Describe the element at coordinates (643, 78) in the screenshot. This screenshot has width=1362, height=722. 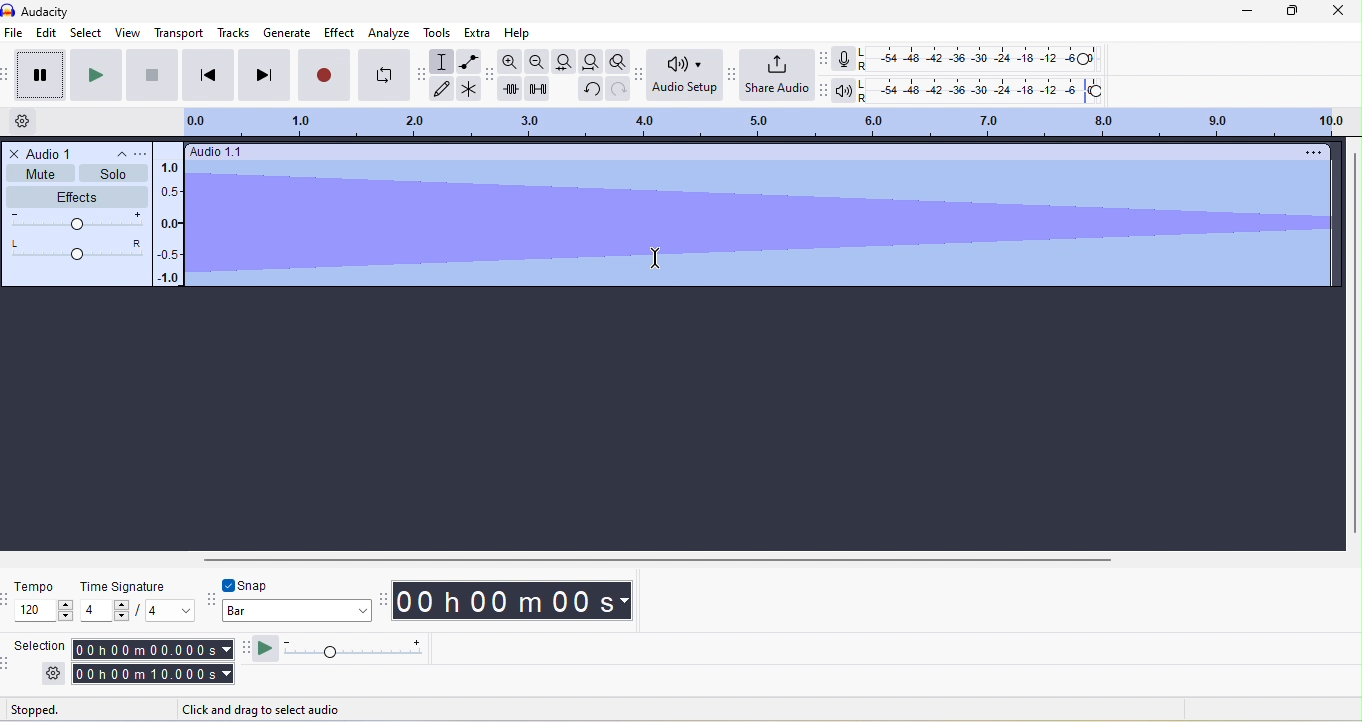
I see `audacity audio setup toolbar` at that location.